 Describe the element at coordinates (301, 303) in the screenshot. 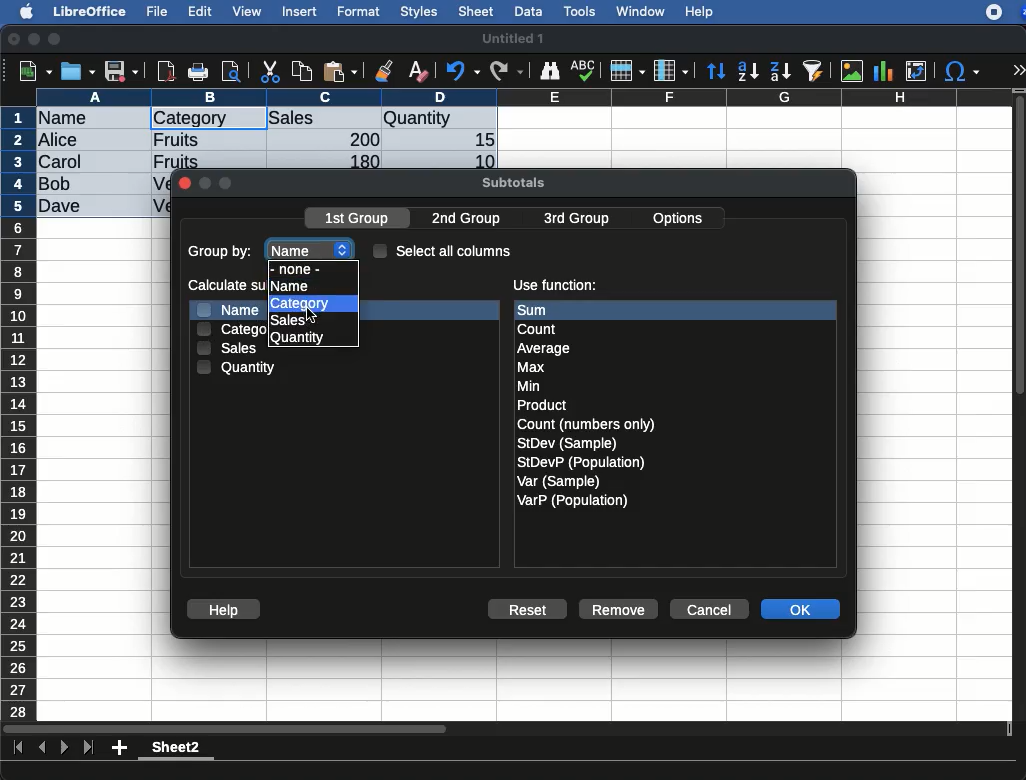

I see `category` at that location.